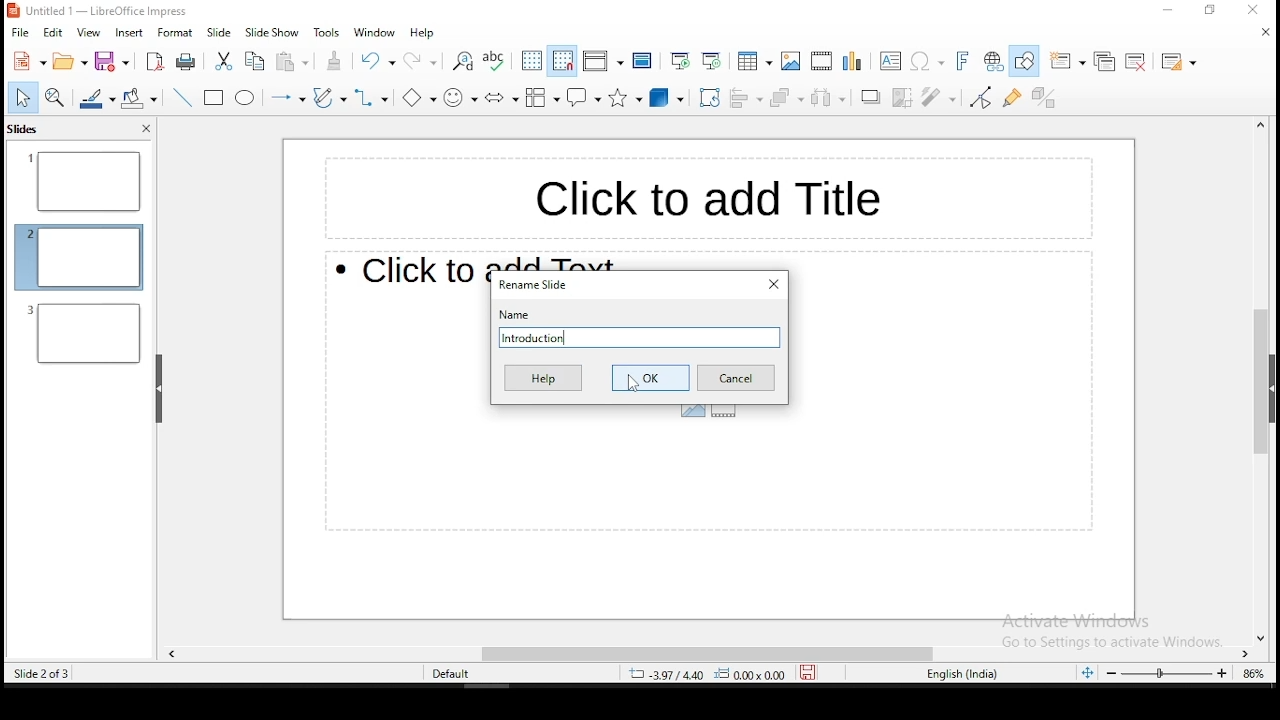 This screenshot has width=1280, height=720. Describe the element at coordinates (53, 35) in the screenshot. I see `edit` at that location.